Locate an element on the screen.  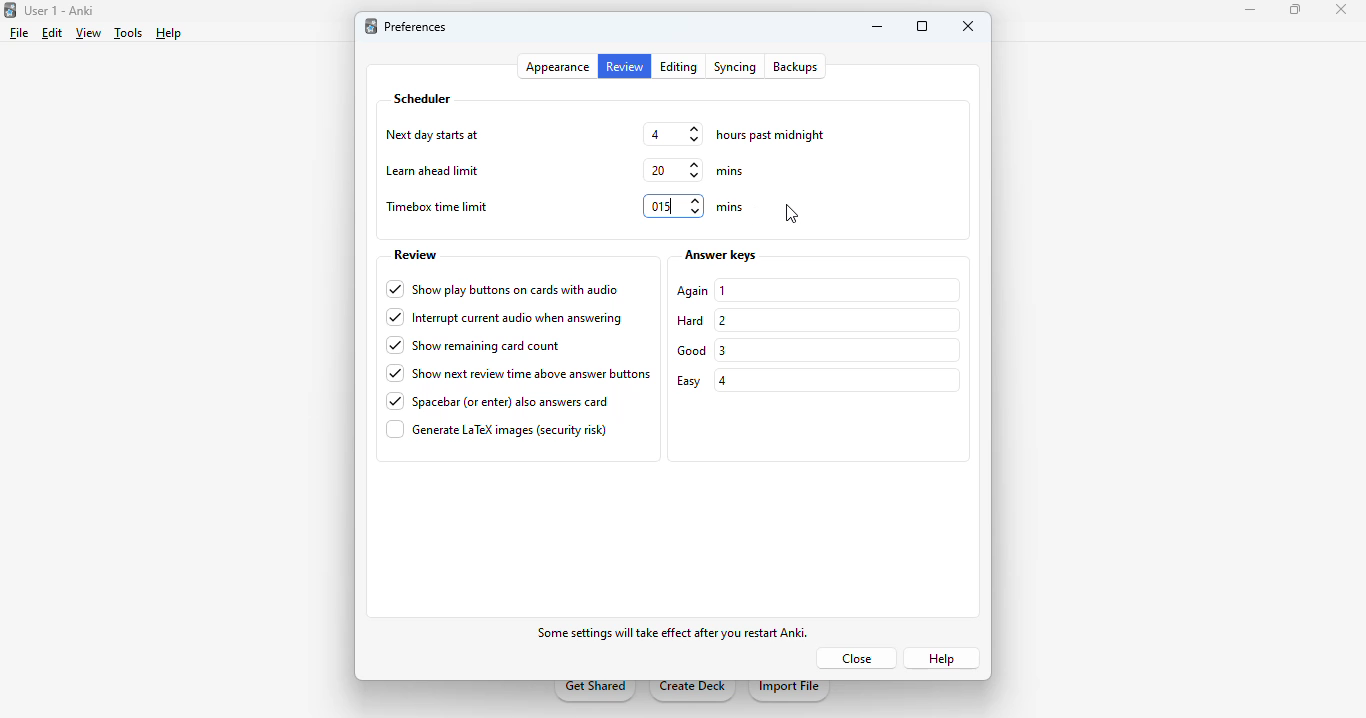
edit is located at coordinates (54, 33).